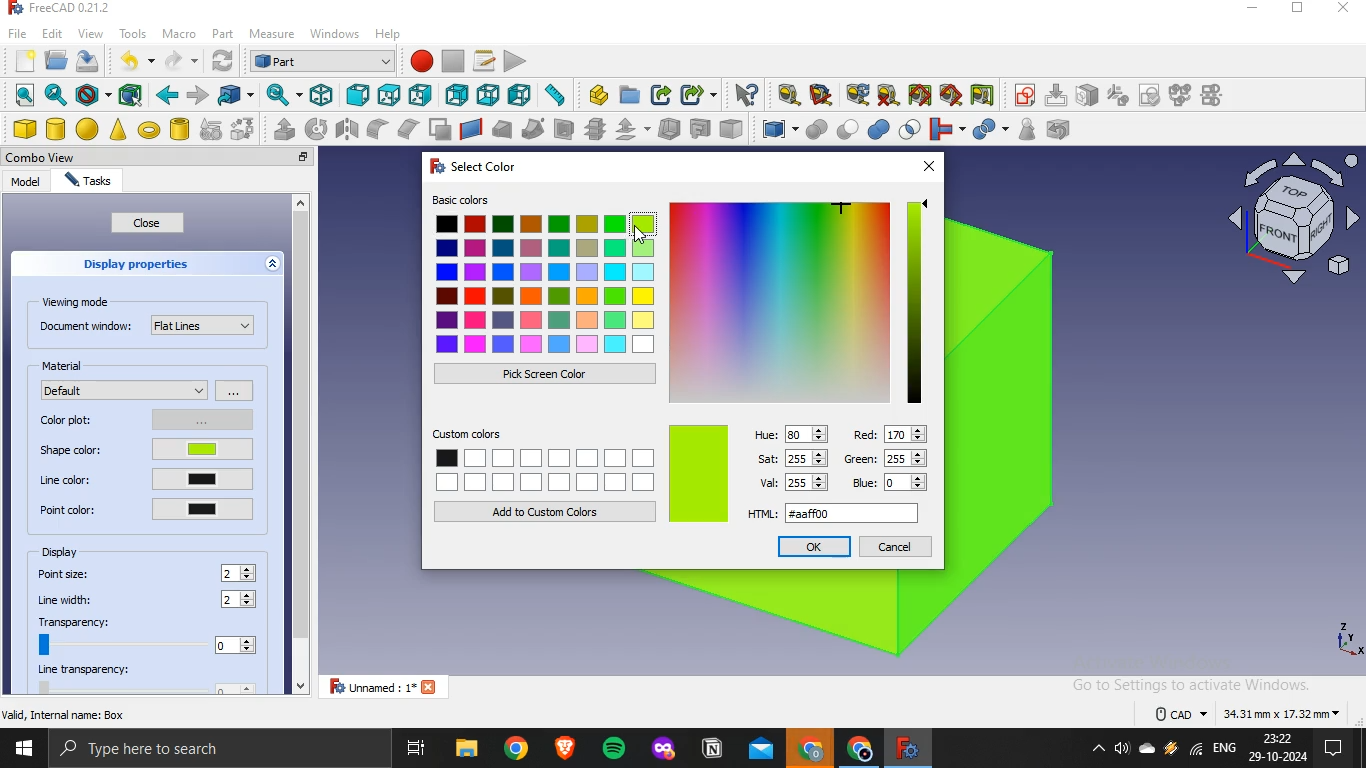 This screenshot has width=1366, height=768. I want to click on mirroring, so click(348, 128).